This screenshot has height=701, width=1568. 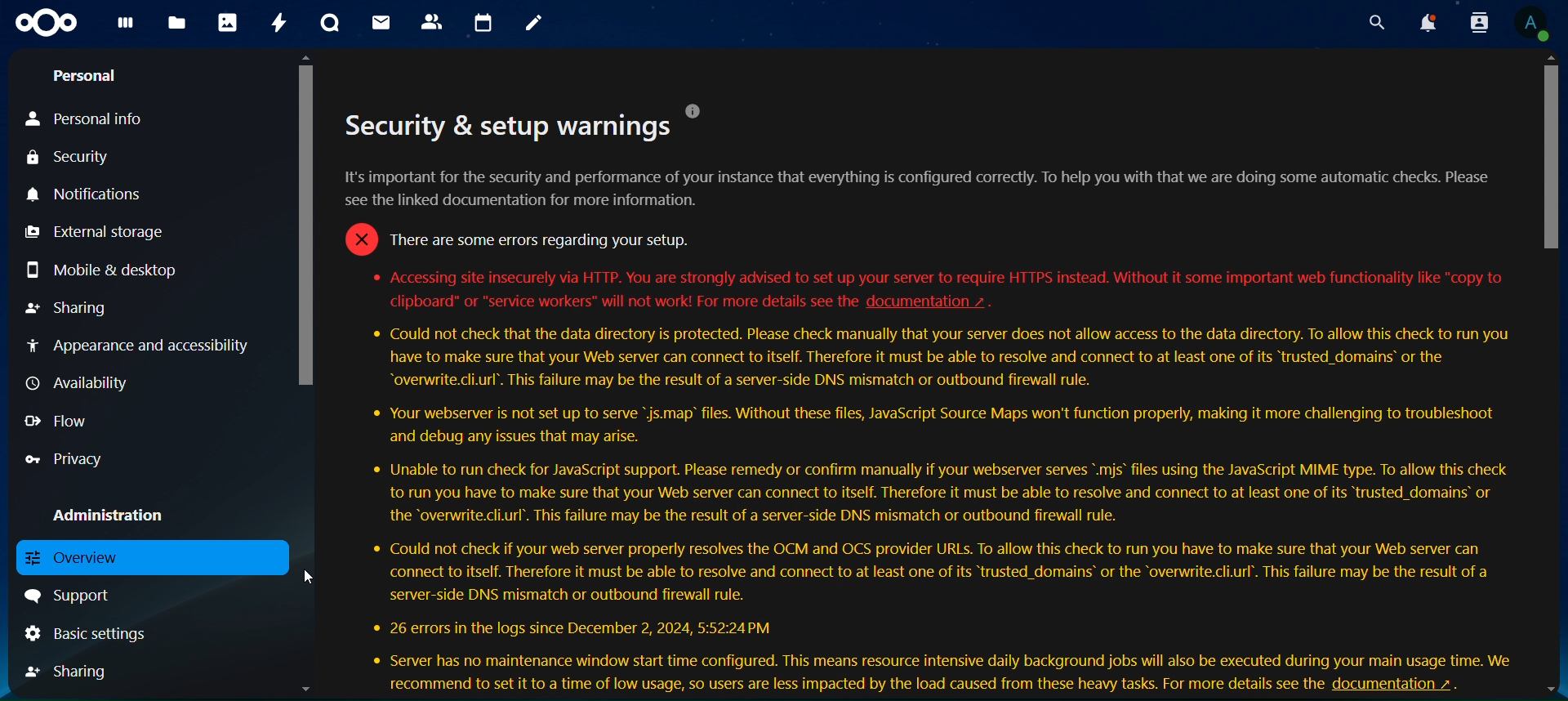 What do you see at coordinates (309, 578) in the screenshot?
I see `cursor` at bounding box center [309, 578].